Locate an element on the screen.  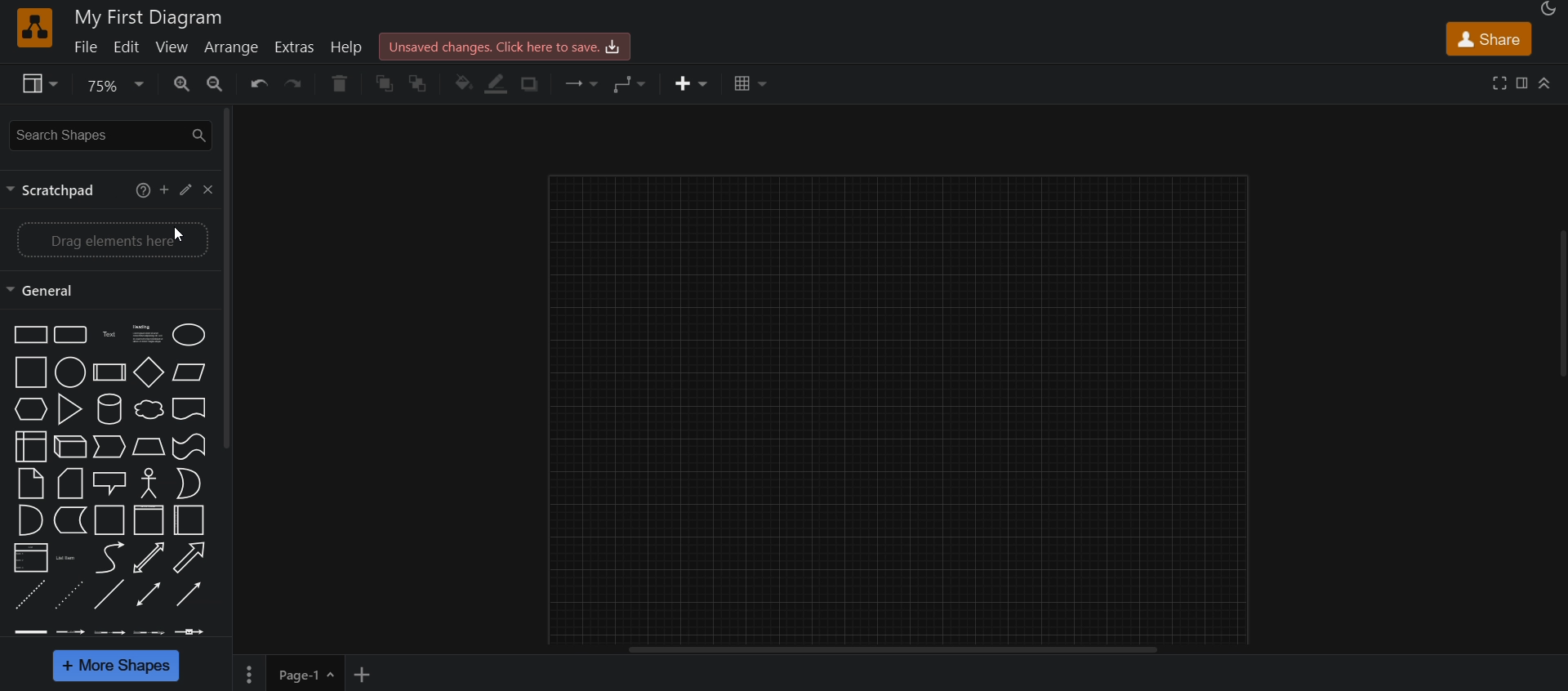
connection is located at coordinates (583, 83).